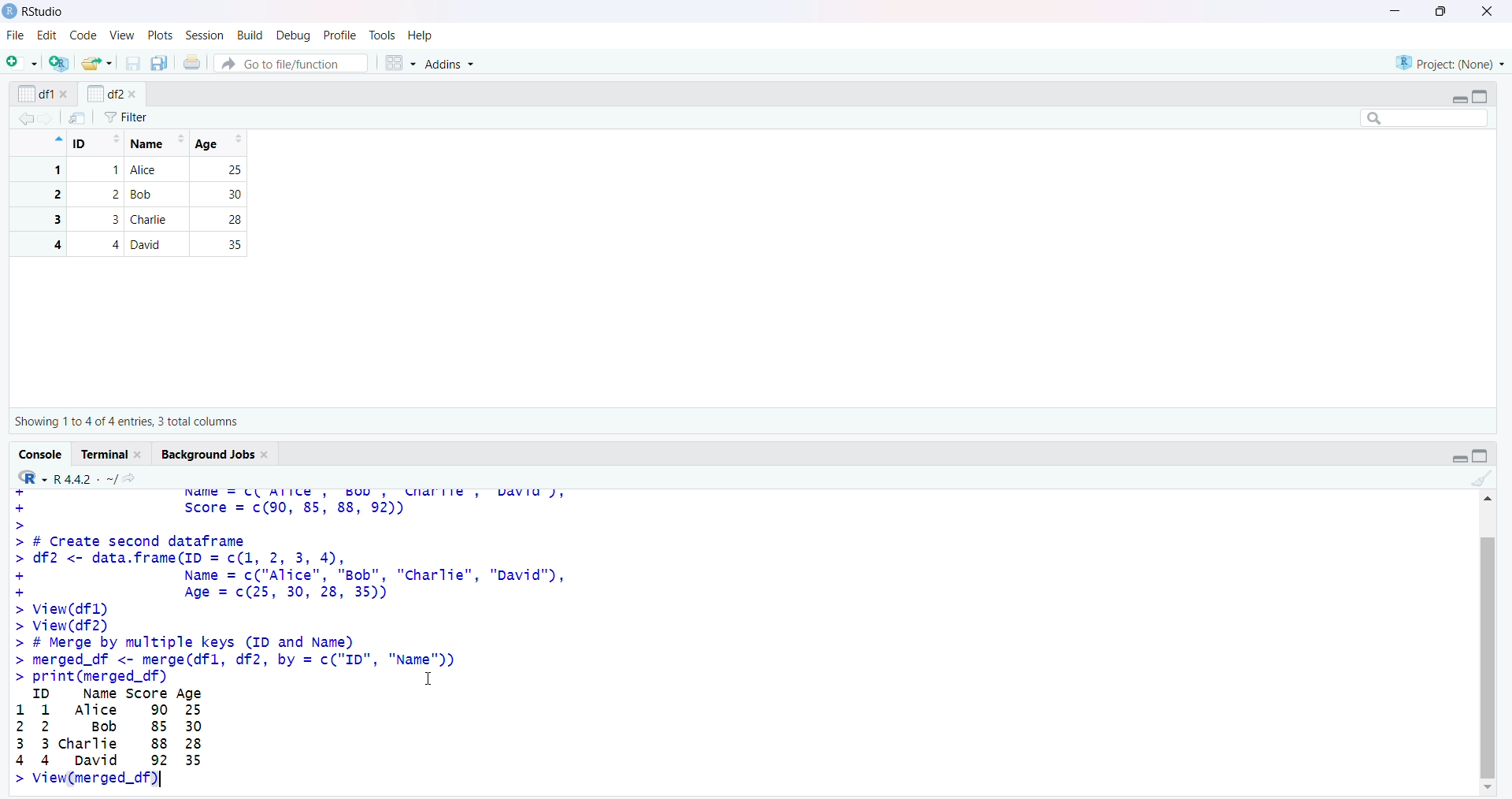 The height and width of the screenshot is (799, 1512). Describe the element at coordinates (135, 219) in the screenshot. I see `3 3 Charlie 28` at that location.